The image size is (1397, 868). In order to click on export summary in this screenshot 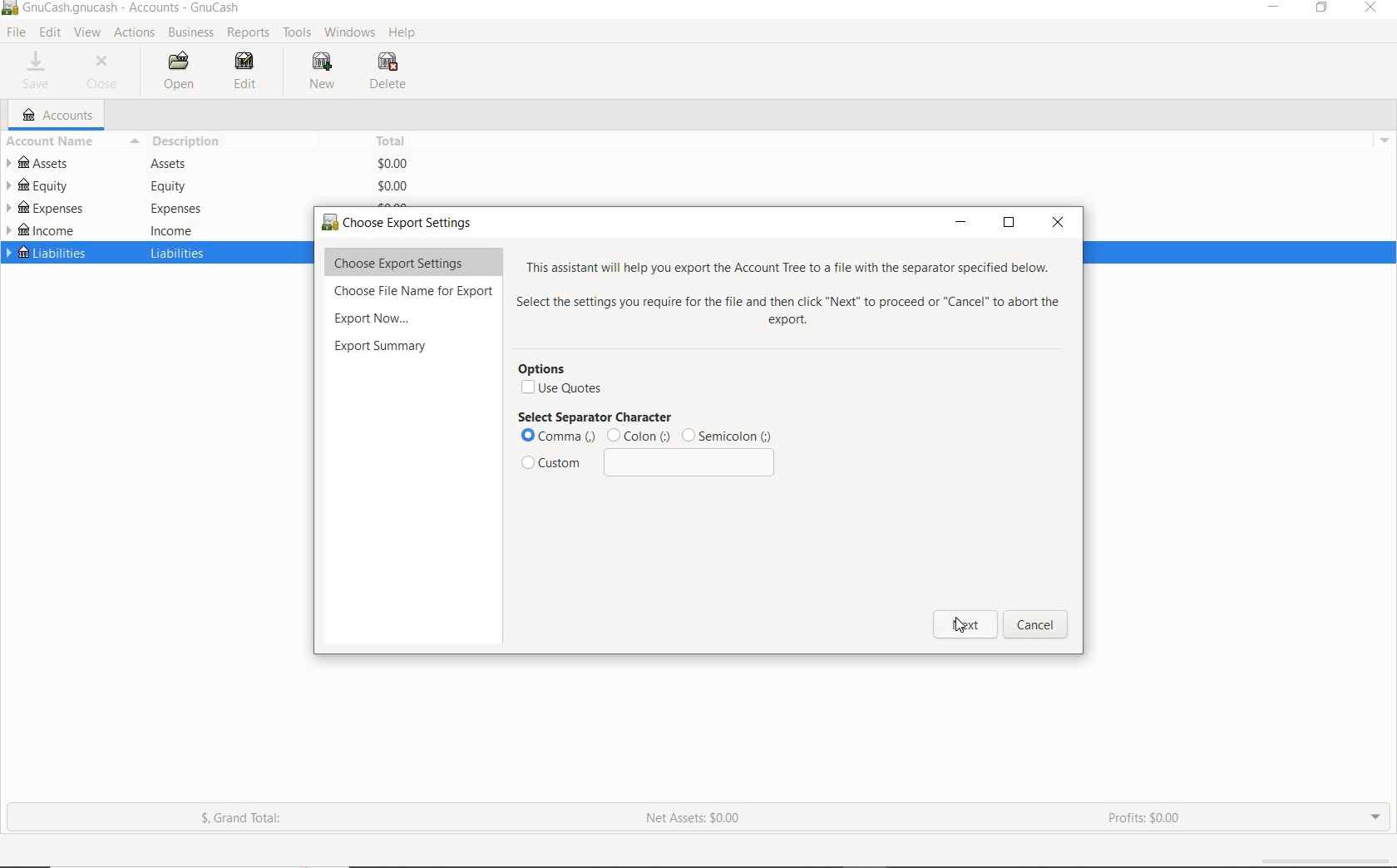, I will do `click(381, 348)`.